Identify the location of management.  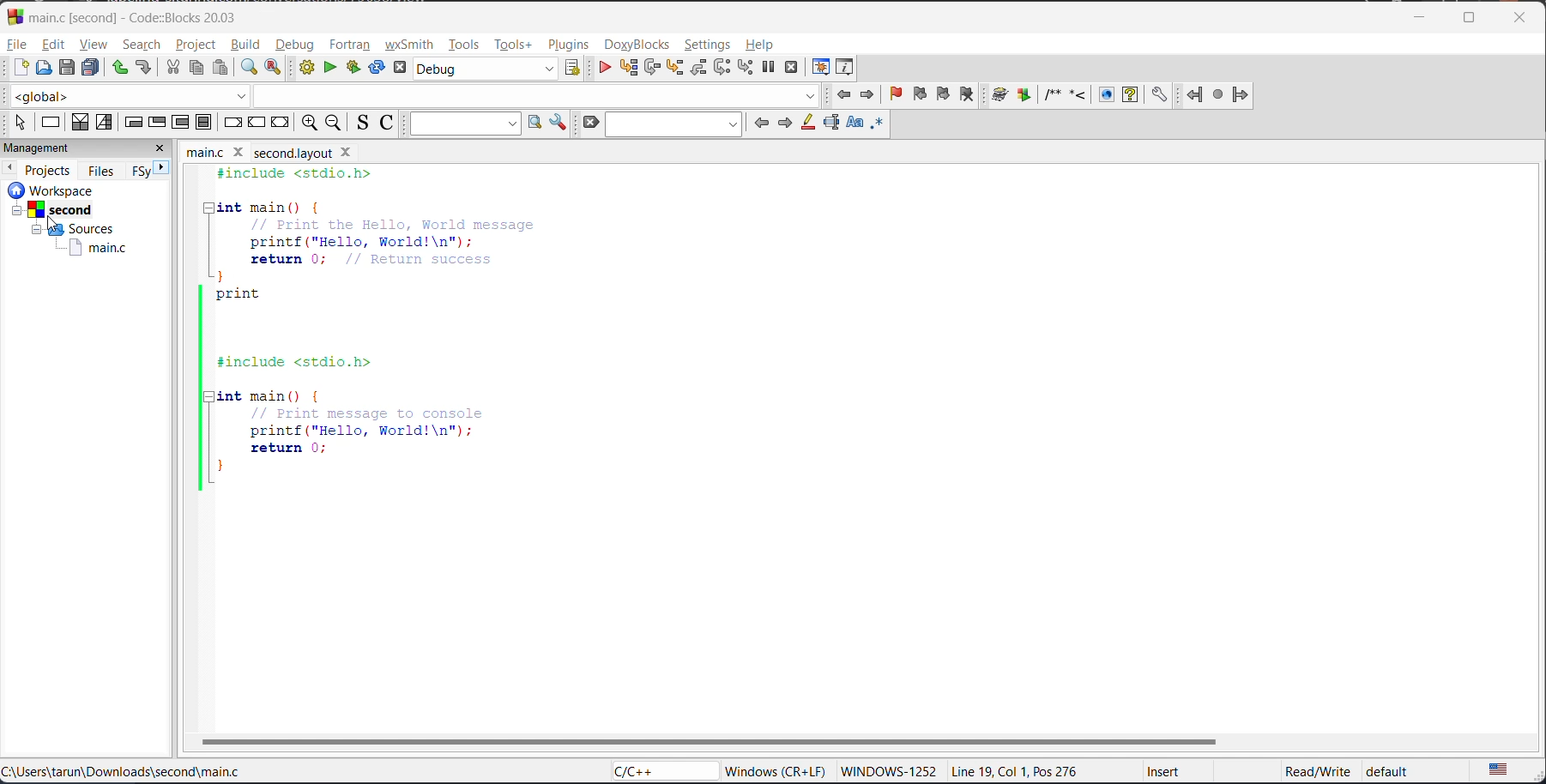
(71, 148).